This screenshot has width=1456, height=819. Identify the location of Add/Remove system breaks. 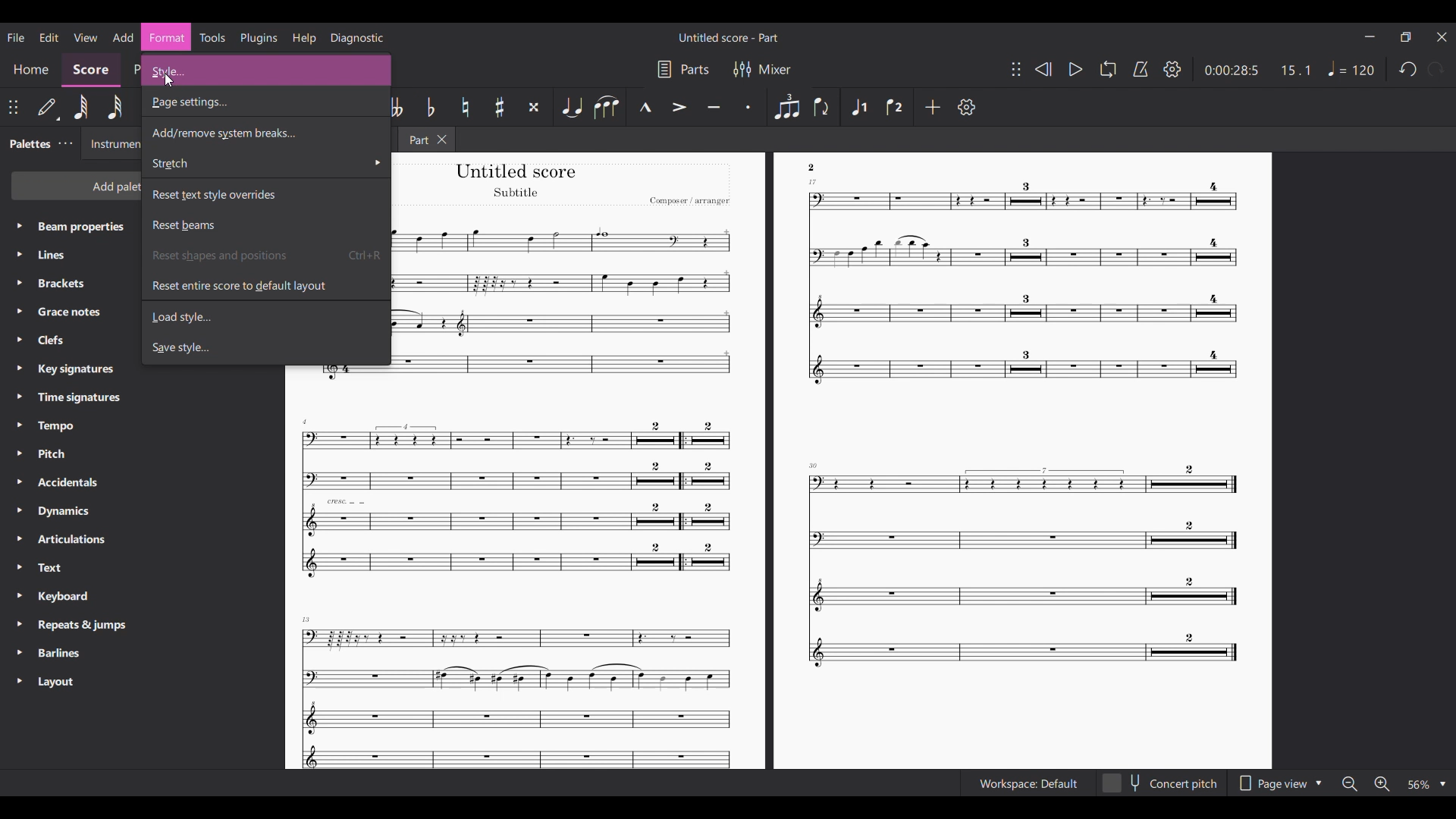
(259, 130).